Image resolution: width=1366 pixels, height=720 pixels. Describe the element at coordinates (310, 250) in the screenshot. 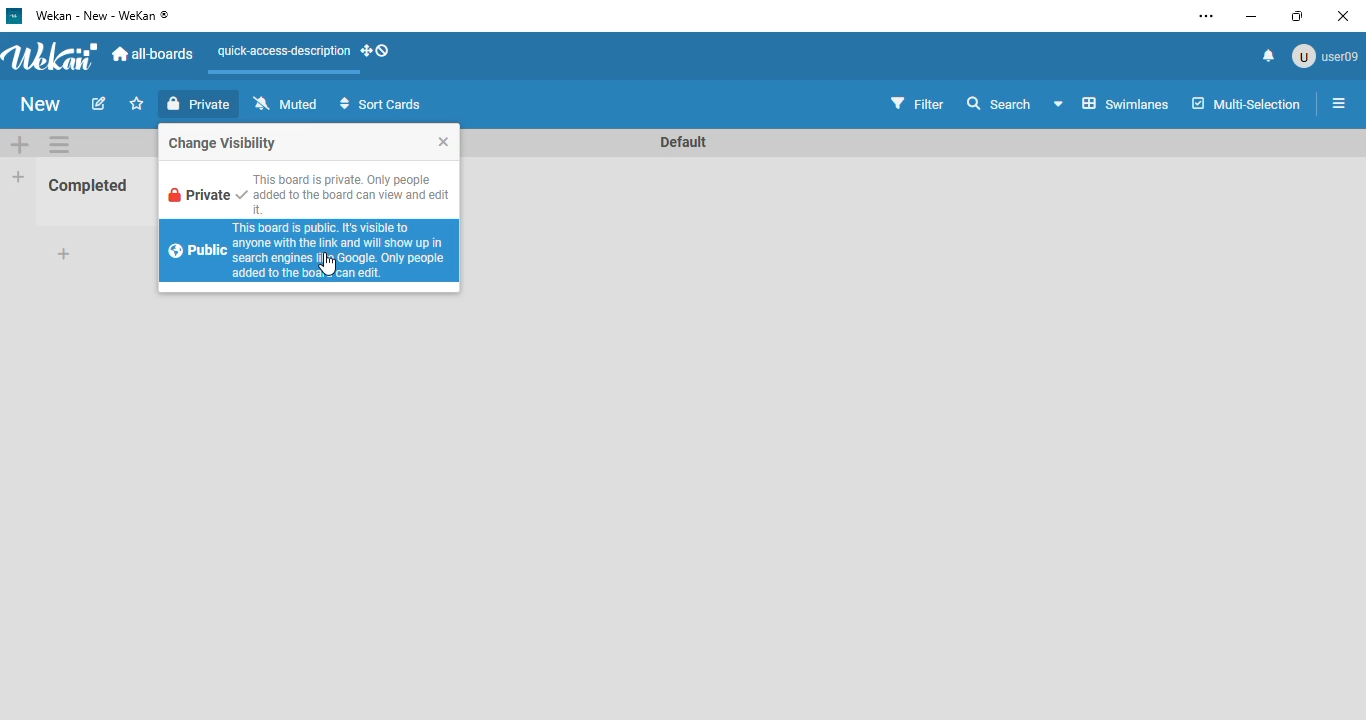

I see `this board is public. it's visible to anyone with the link and will show up in search engines like google. only people added to the board can edit.` at that location.